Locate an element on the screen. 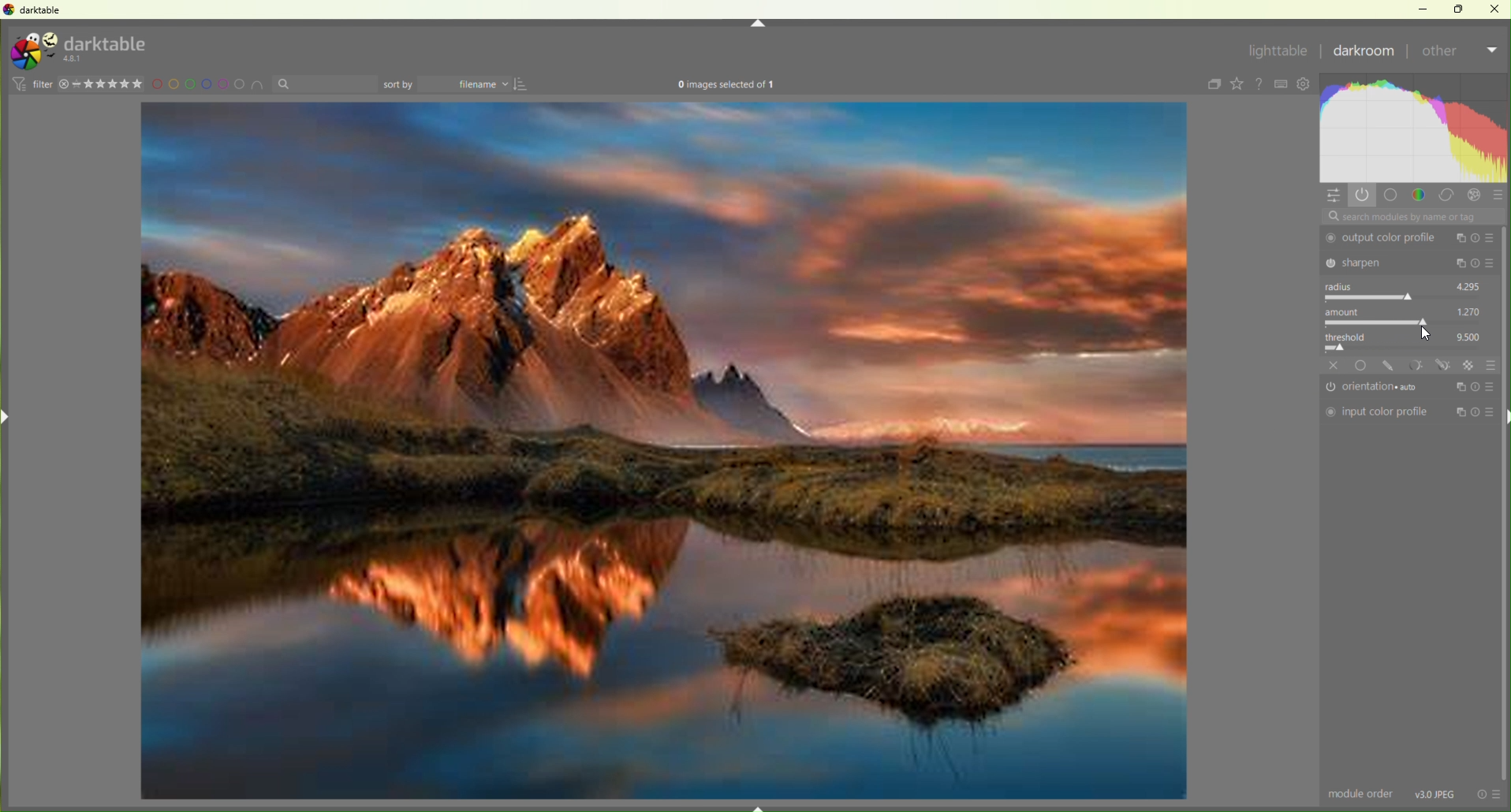  Minimise is located at coordinates (1427, 9).